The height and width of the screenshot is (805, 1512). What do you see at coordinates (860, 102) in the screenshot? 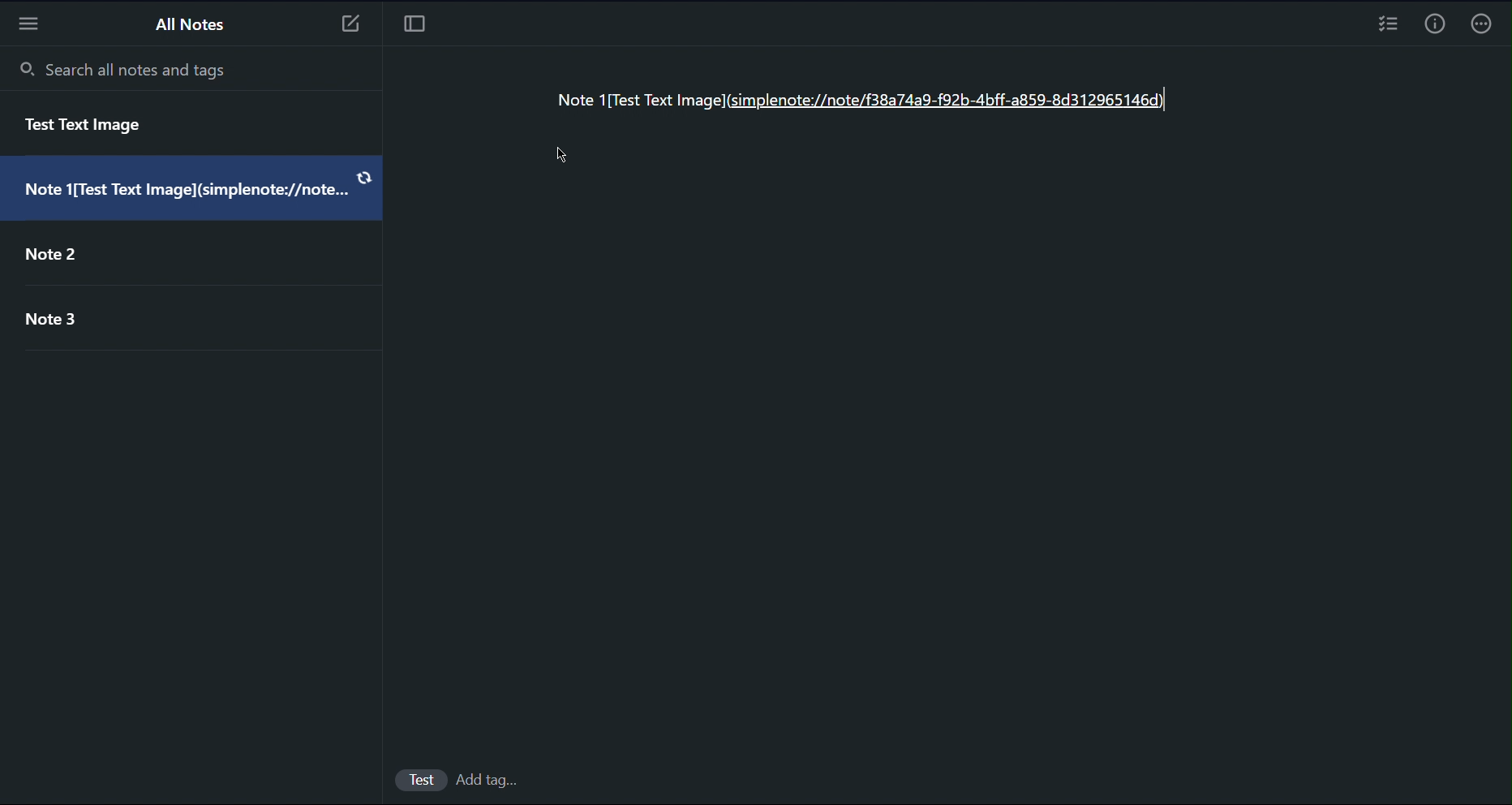
I see `Note 1[Test Text Image](simplenote://note/f38a74a9-f92b-4bff-a859-8d312965146d |` at bounding box center [860, 102].